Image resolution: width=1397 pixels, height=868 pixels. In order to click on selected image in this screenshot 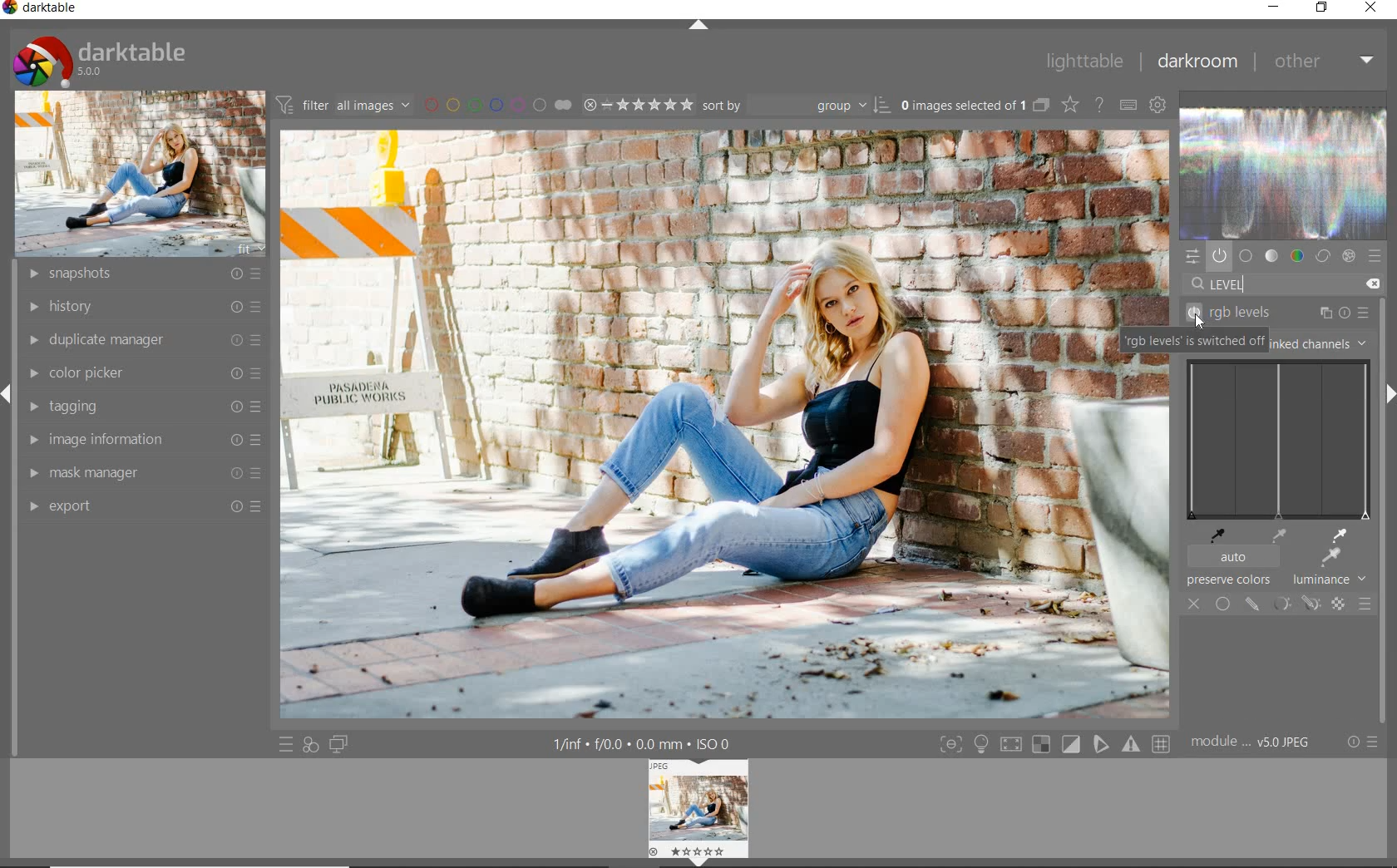, I will do `click(685, 423)`.